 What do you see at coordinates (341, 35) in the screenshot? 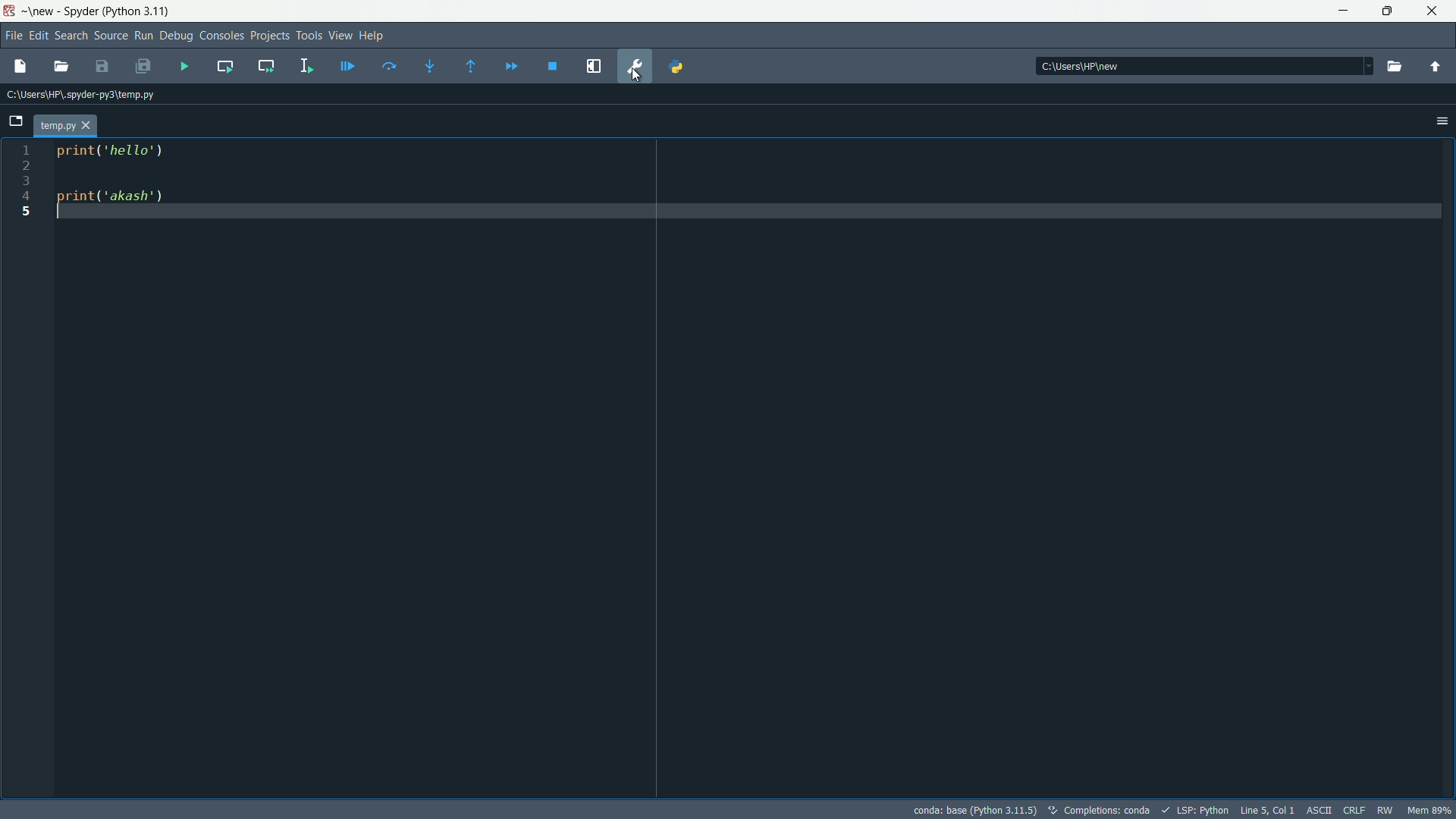
I see `view menu` at bounding box center [341, 35].